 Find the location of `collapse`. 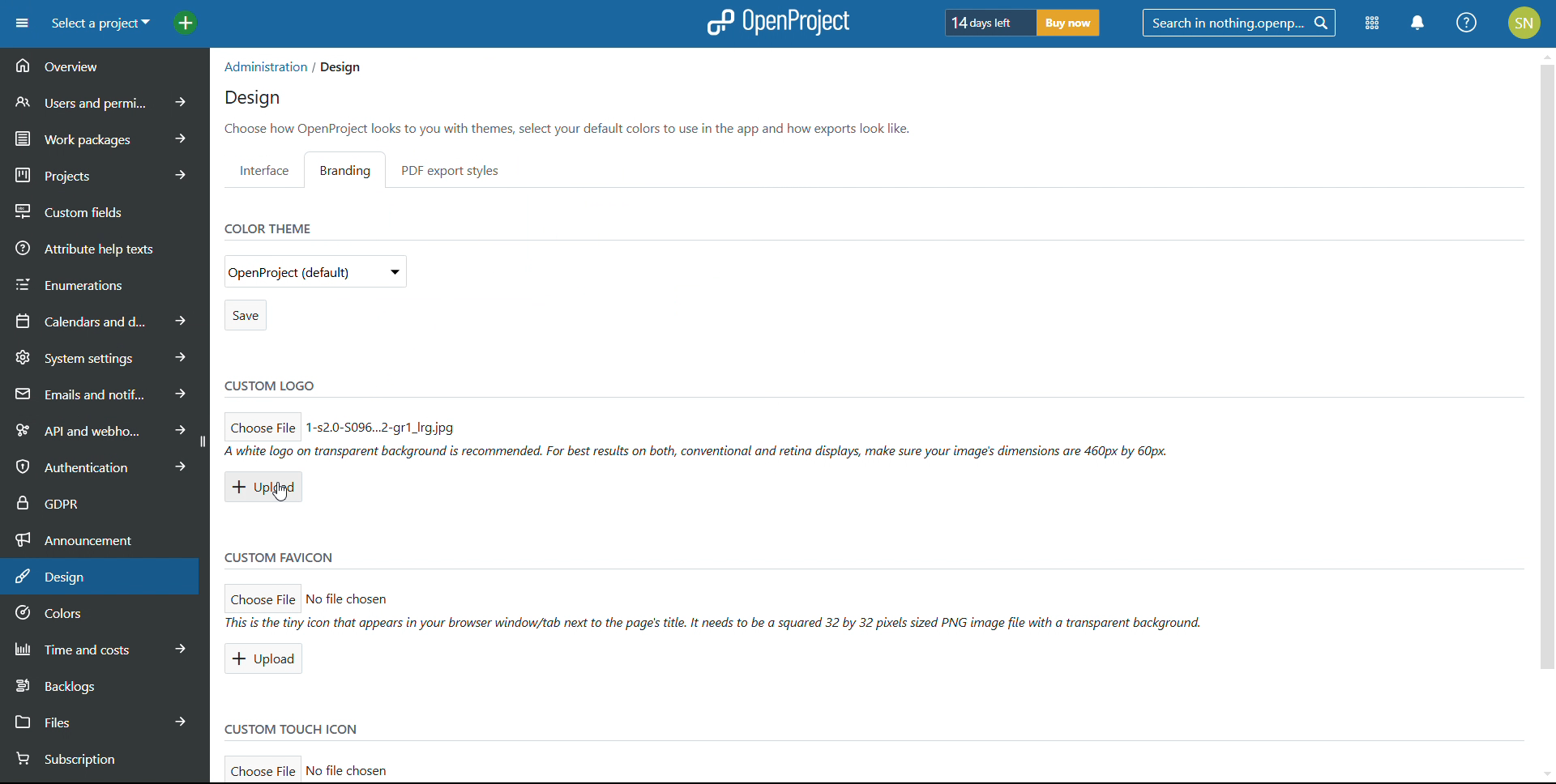

collapse is located at coordinates (202, 441).